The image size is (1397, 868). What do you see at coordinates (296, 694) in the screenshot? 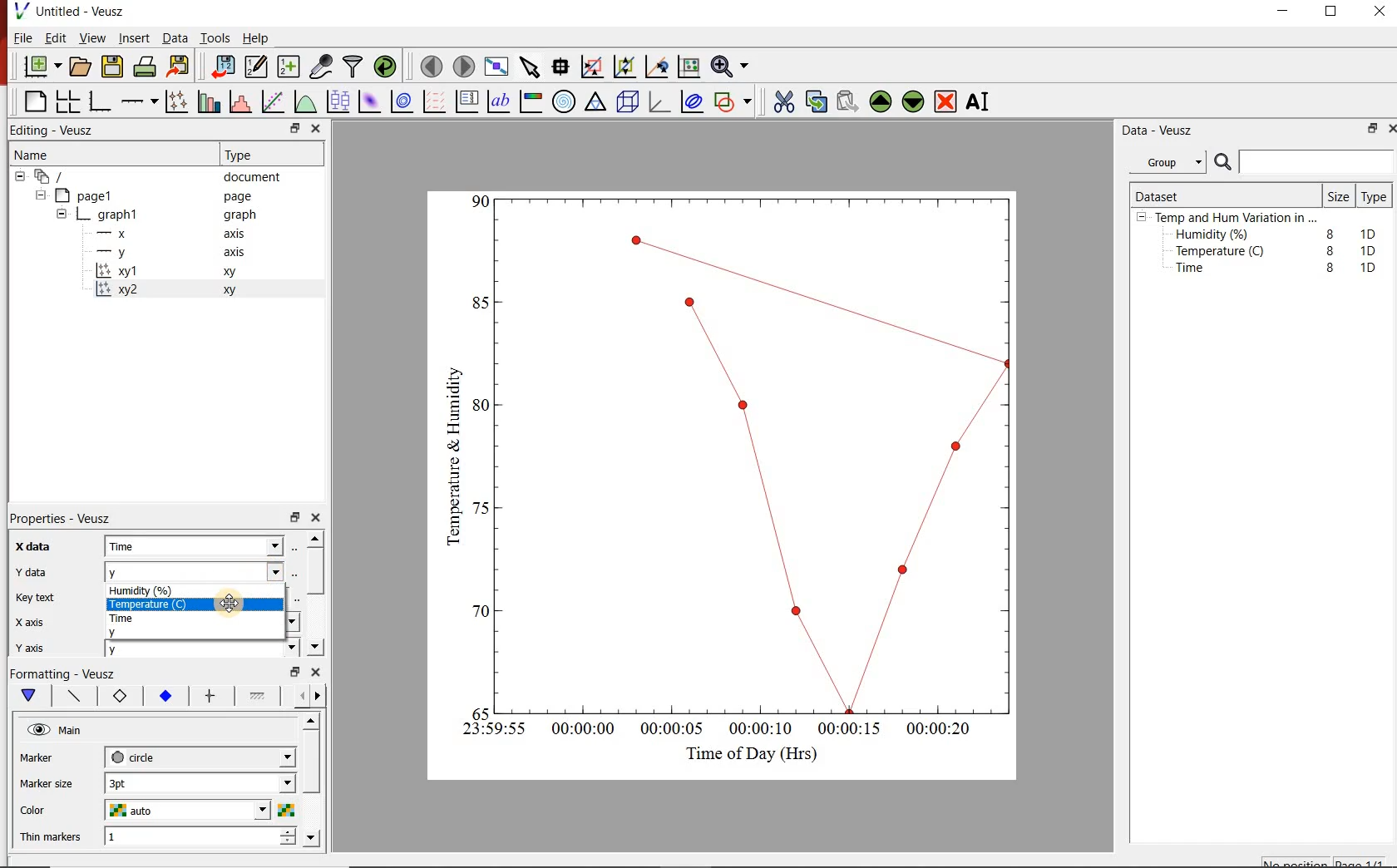
I see `go back` at bounding box center [296, 694].